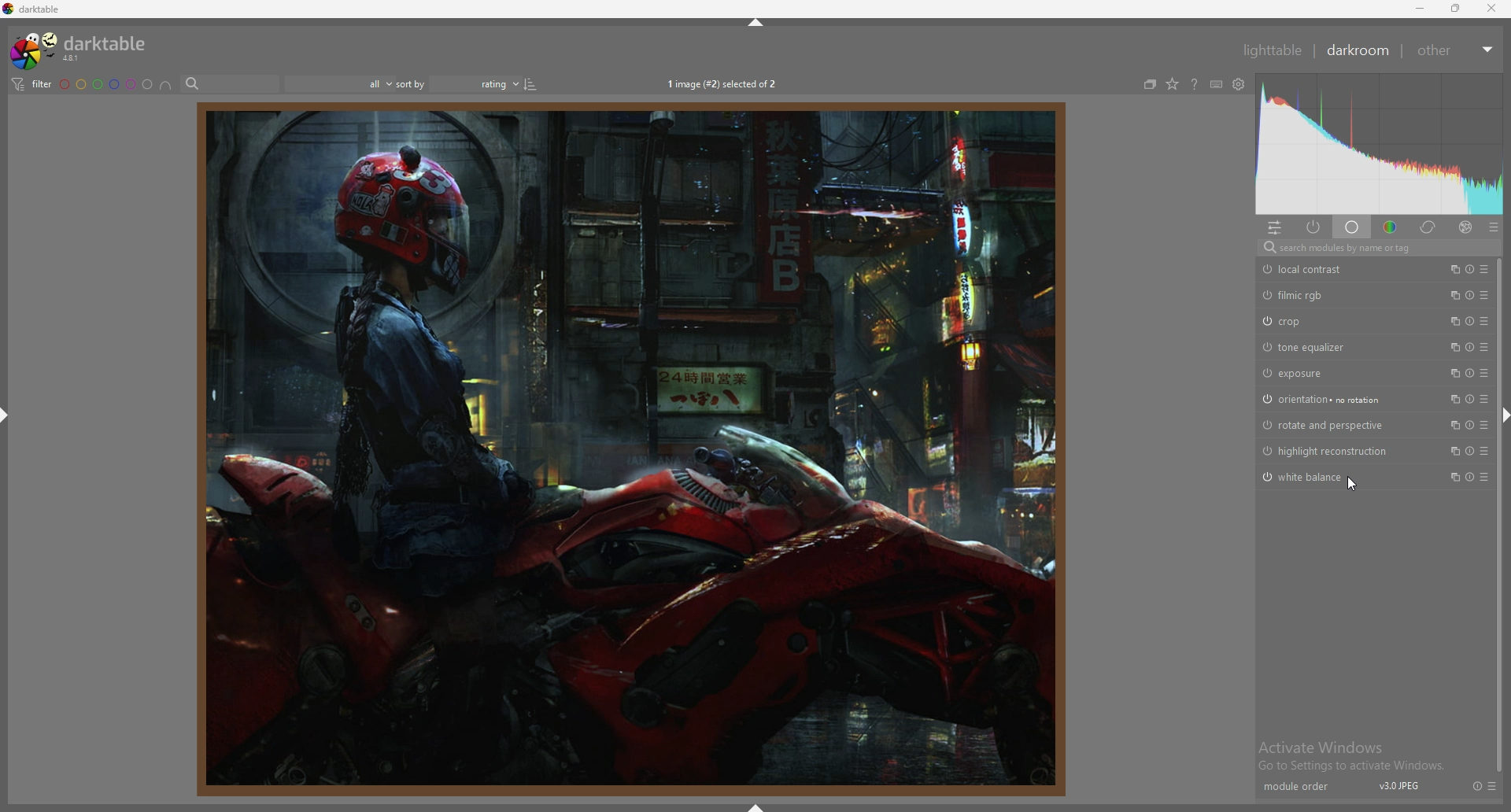  I want to click on tone equalizer, so click(1316, 347).